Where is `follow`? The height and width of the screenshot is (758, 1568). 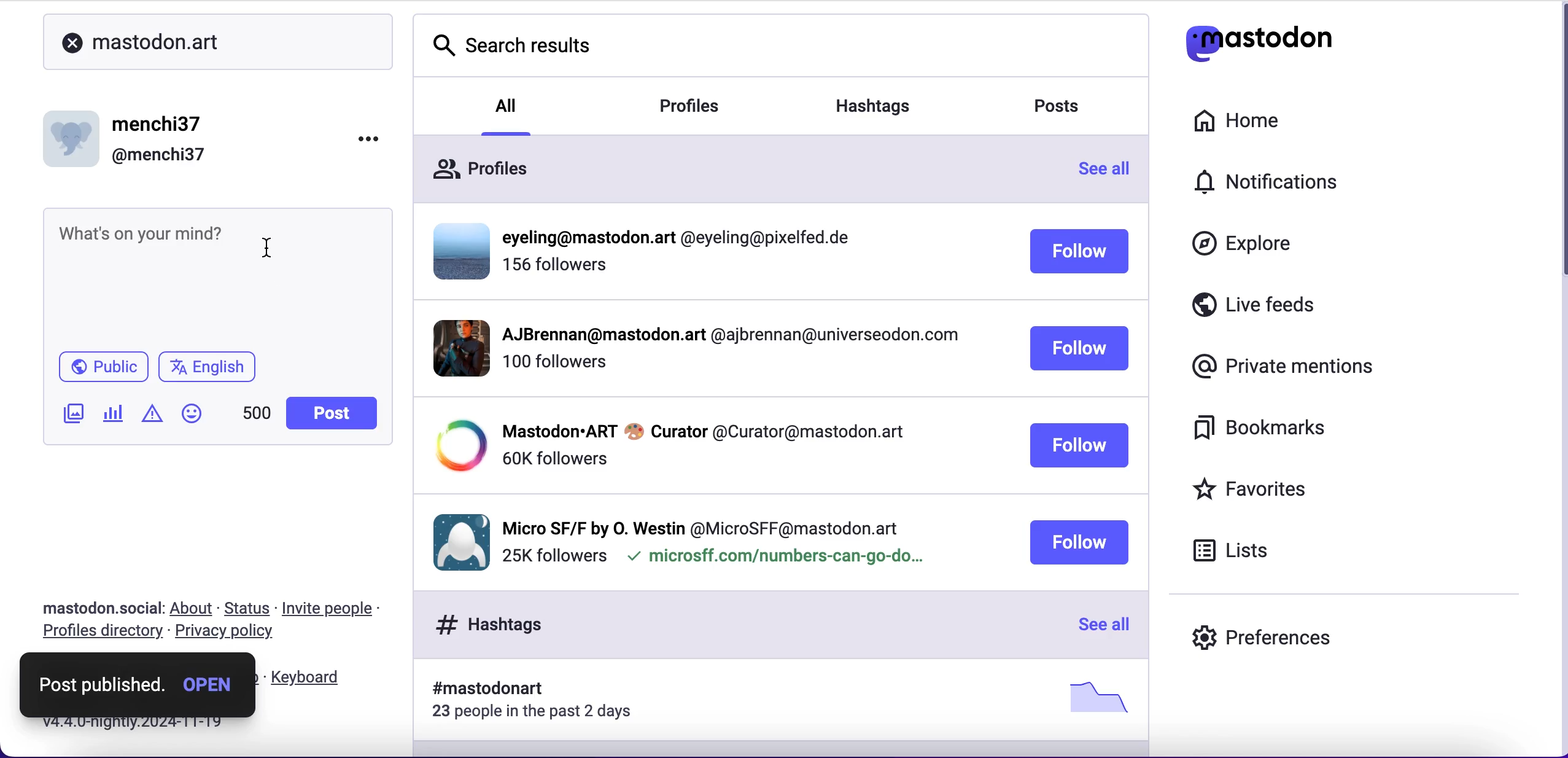 follow is located at coordinates (1079, 446).